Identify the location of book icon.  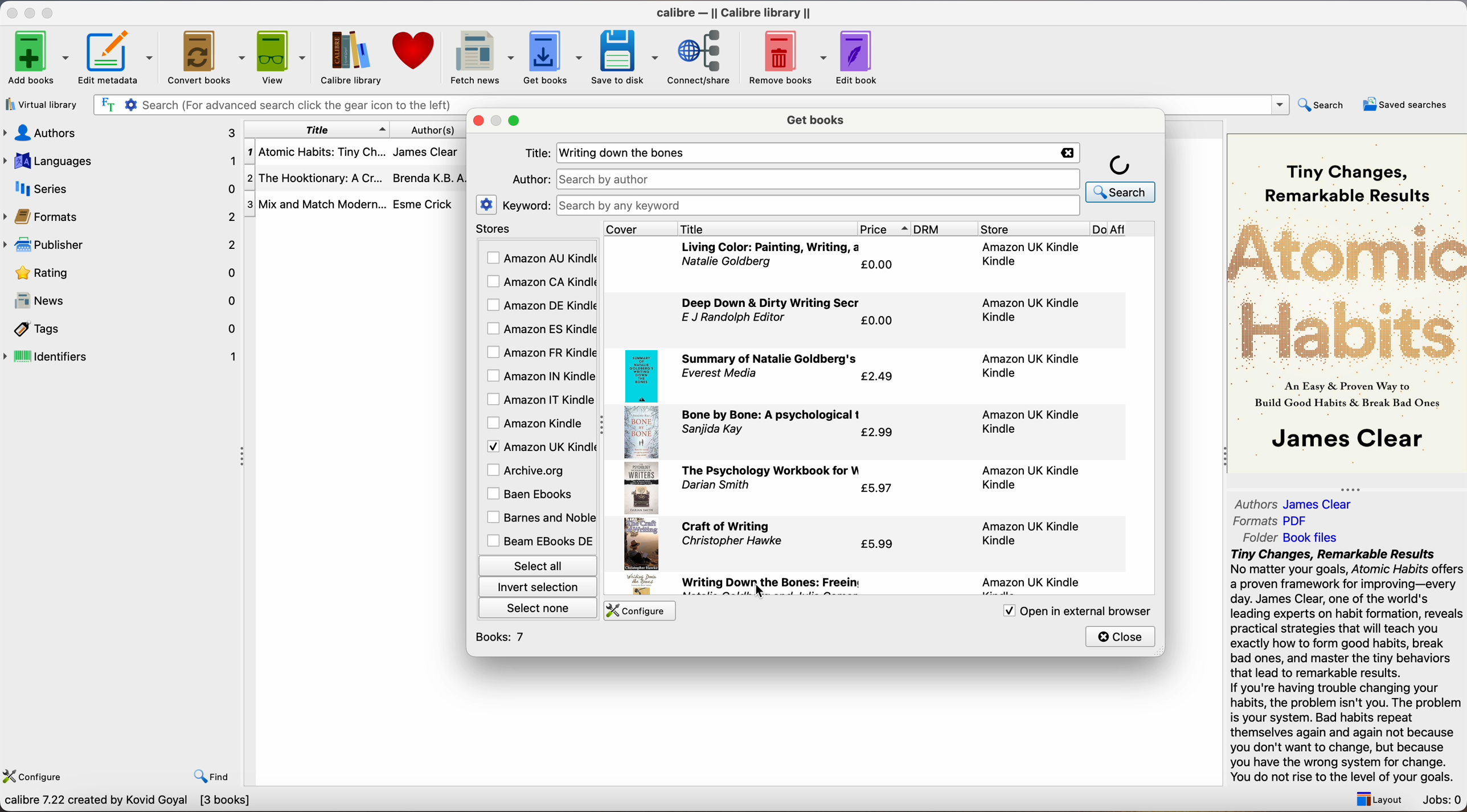
(641, 544).